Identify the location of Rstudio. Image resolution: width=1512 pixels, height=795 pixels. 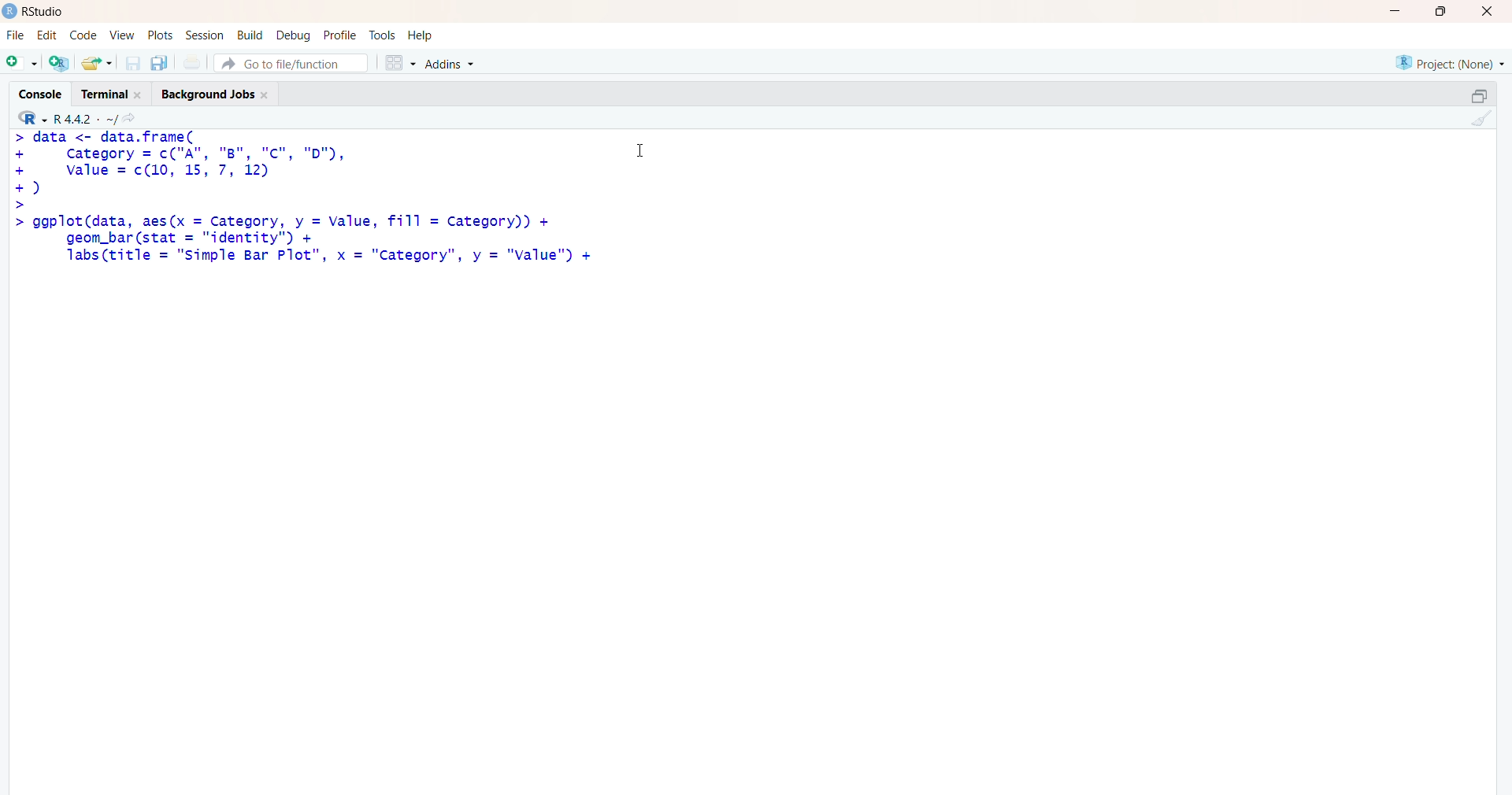
(48, 12).